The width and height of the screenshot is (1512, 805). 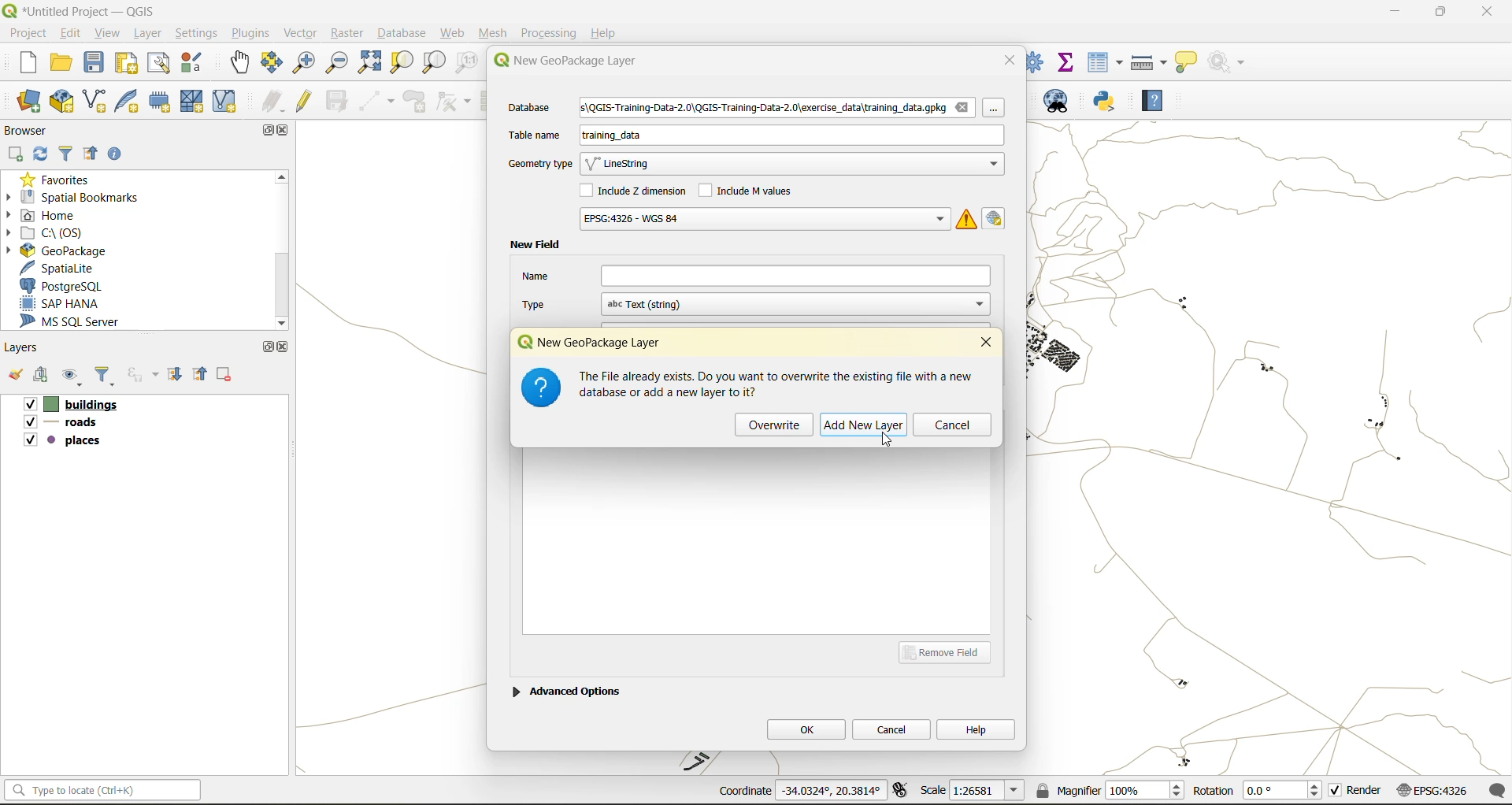 I want to click on Question mark, so click(x=540, y=391).